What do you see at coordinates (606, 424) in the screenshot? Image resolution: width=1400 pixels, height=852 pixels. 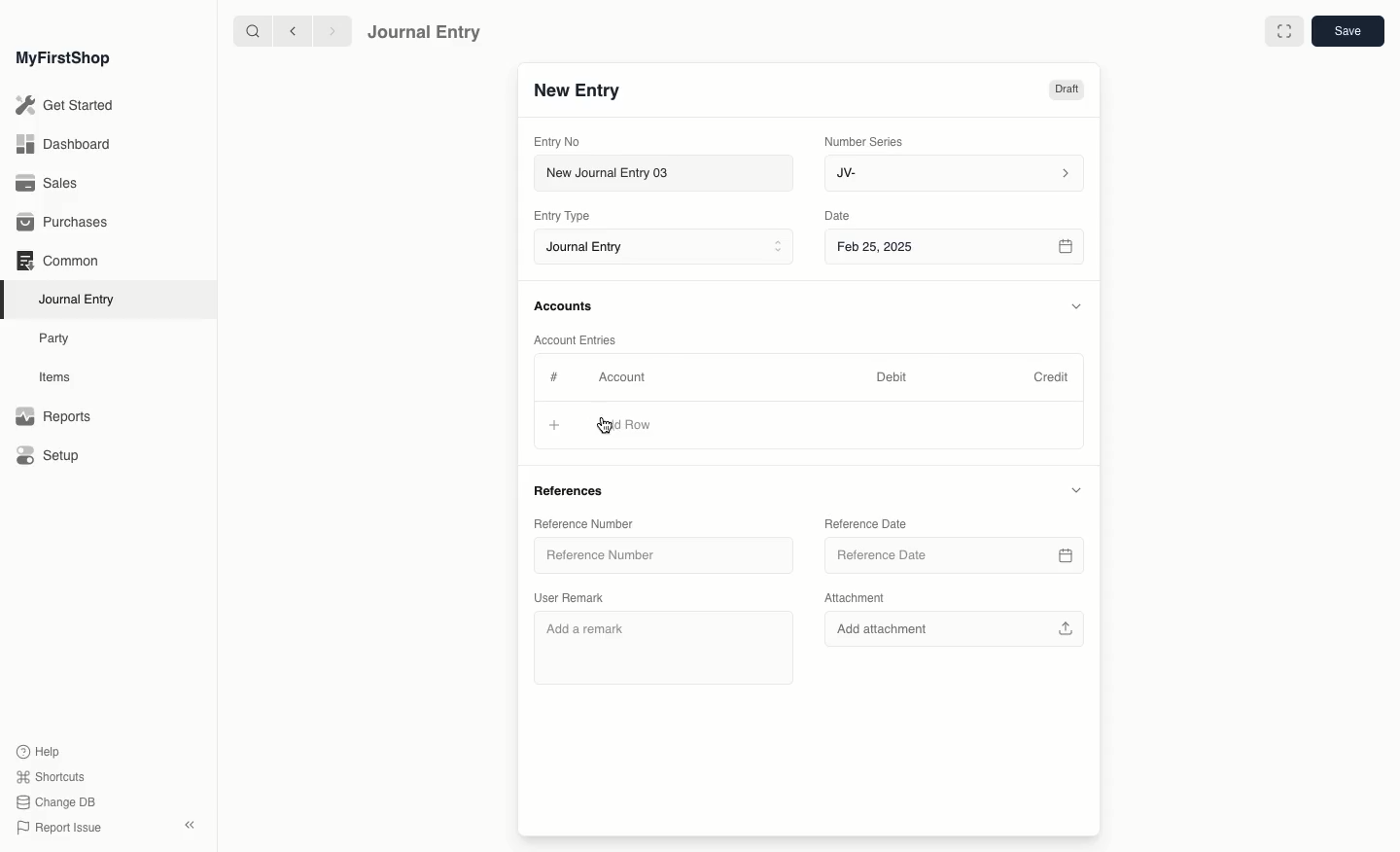 I see `cursor` at bounding box center [606, 424].